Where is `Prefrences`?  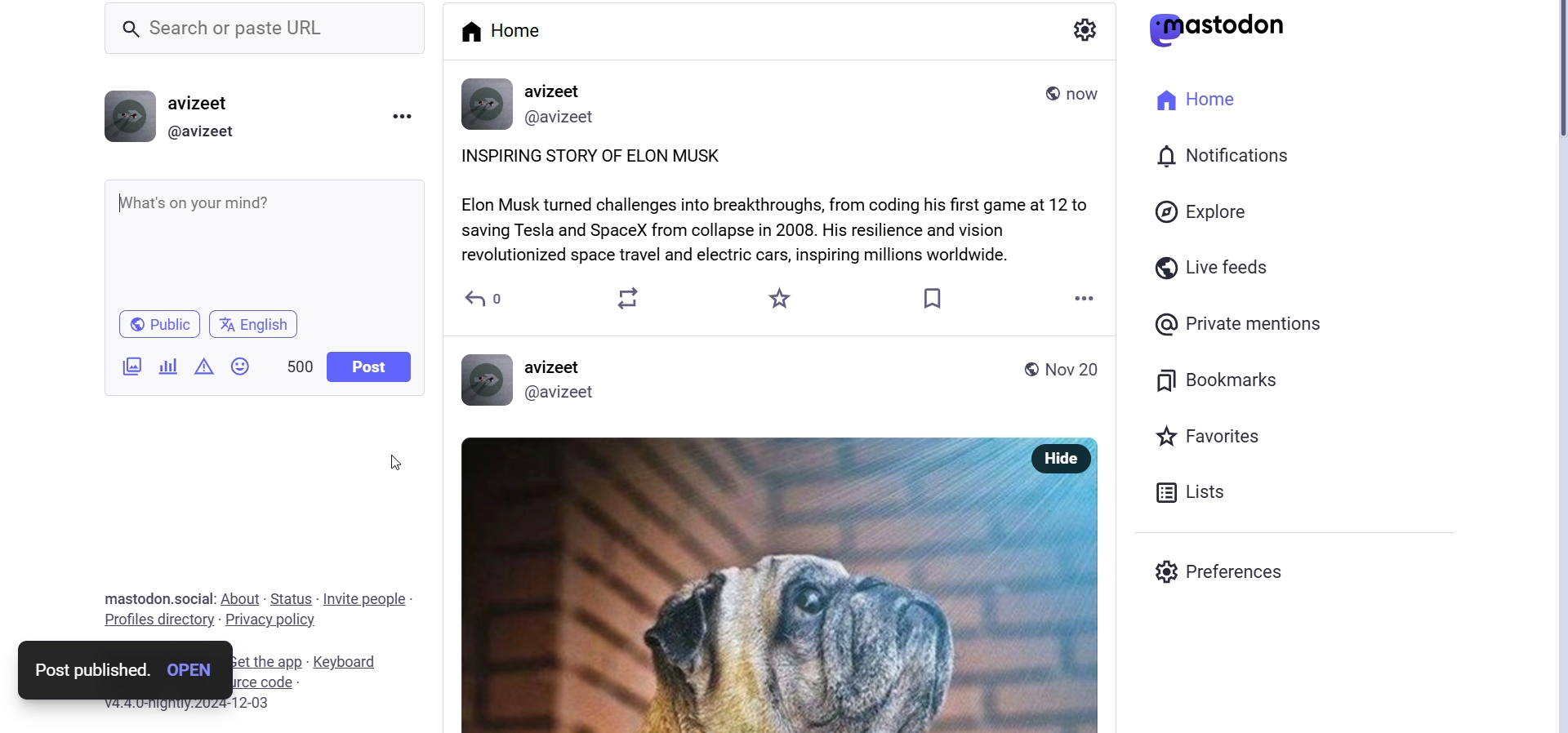 Prefrences is located at coordinates (1237, 571).